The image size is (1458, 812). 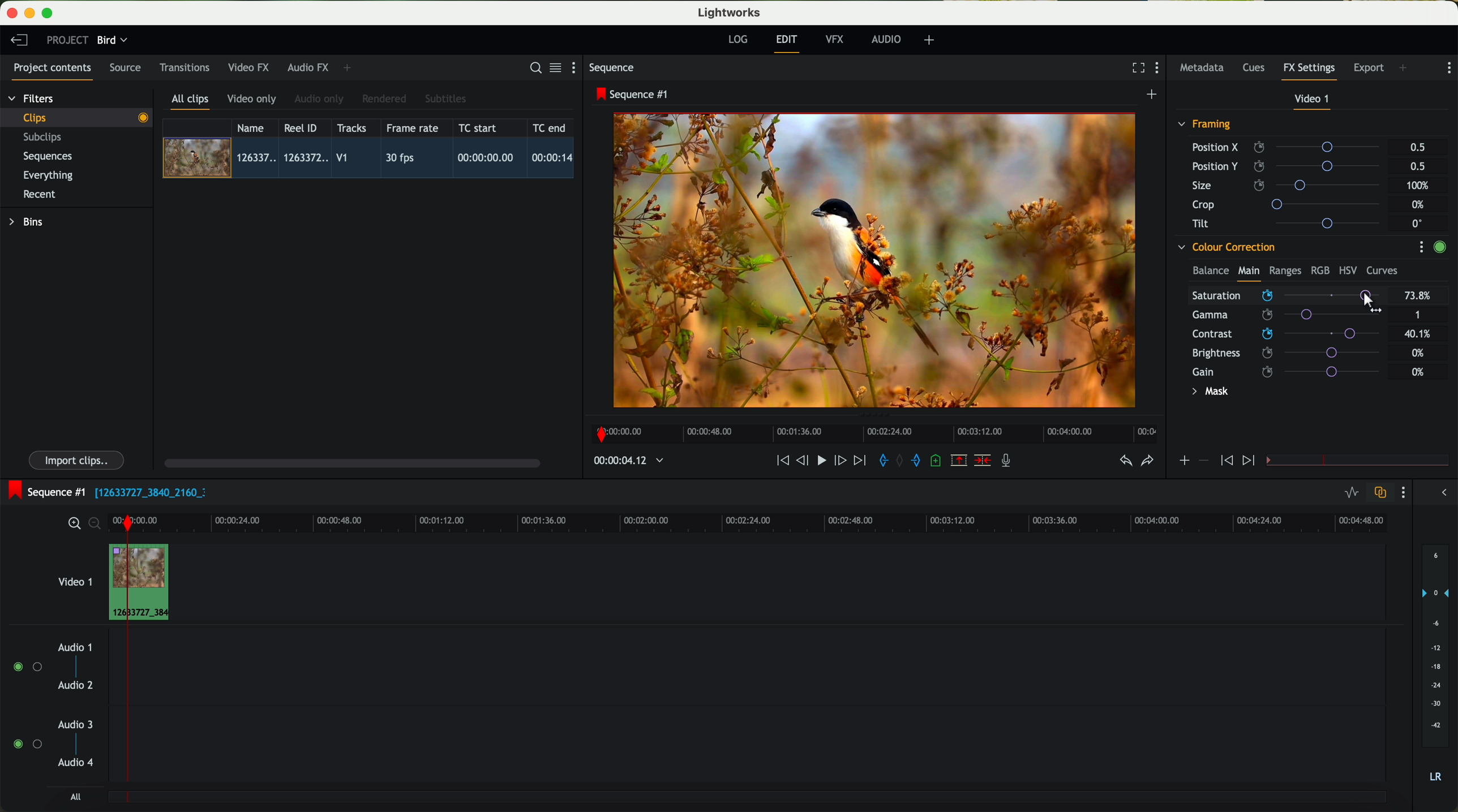 I want to click on everything, so click(x=49, y=175).